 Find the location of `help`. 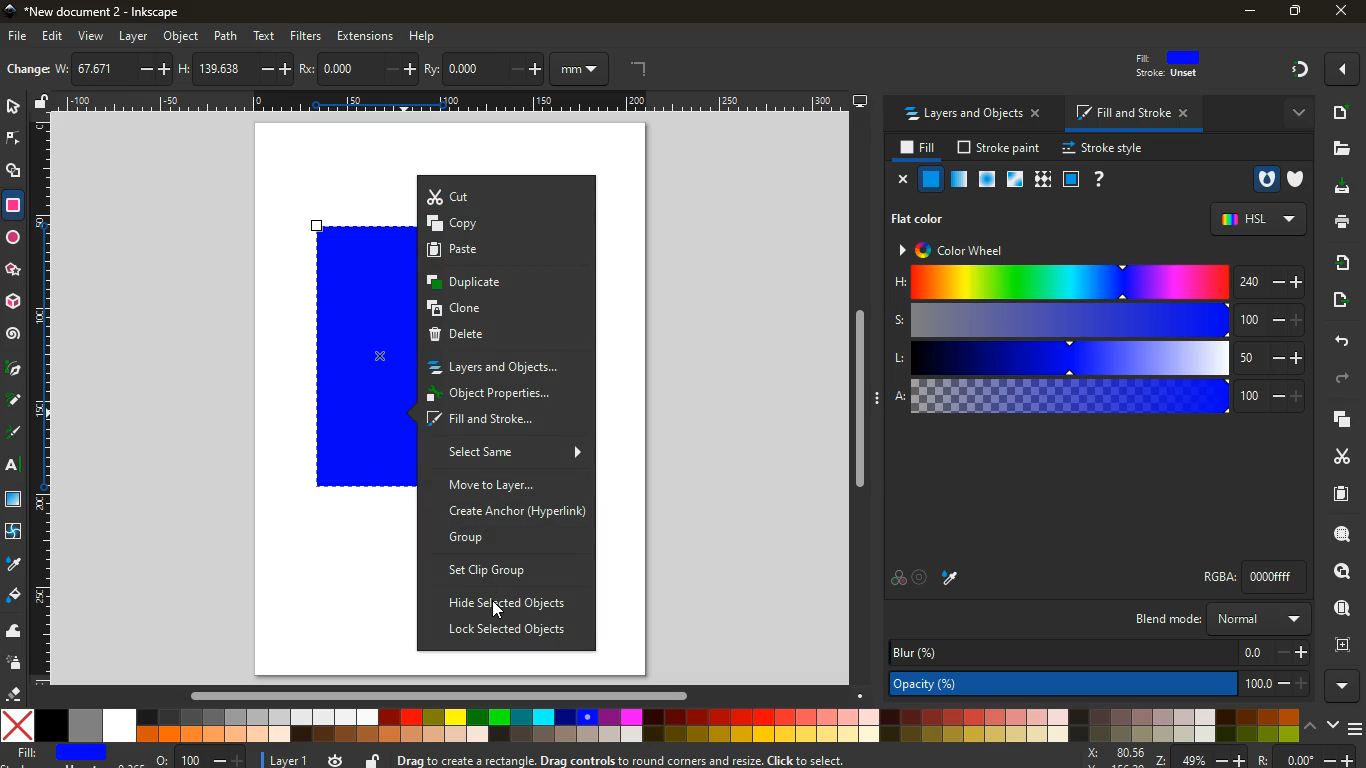

help is located at coordinates (424, 37).